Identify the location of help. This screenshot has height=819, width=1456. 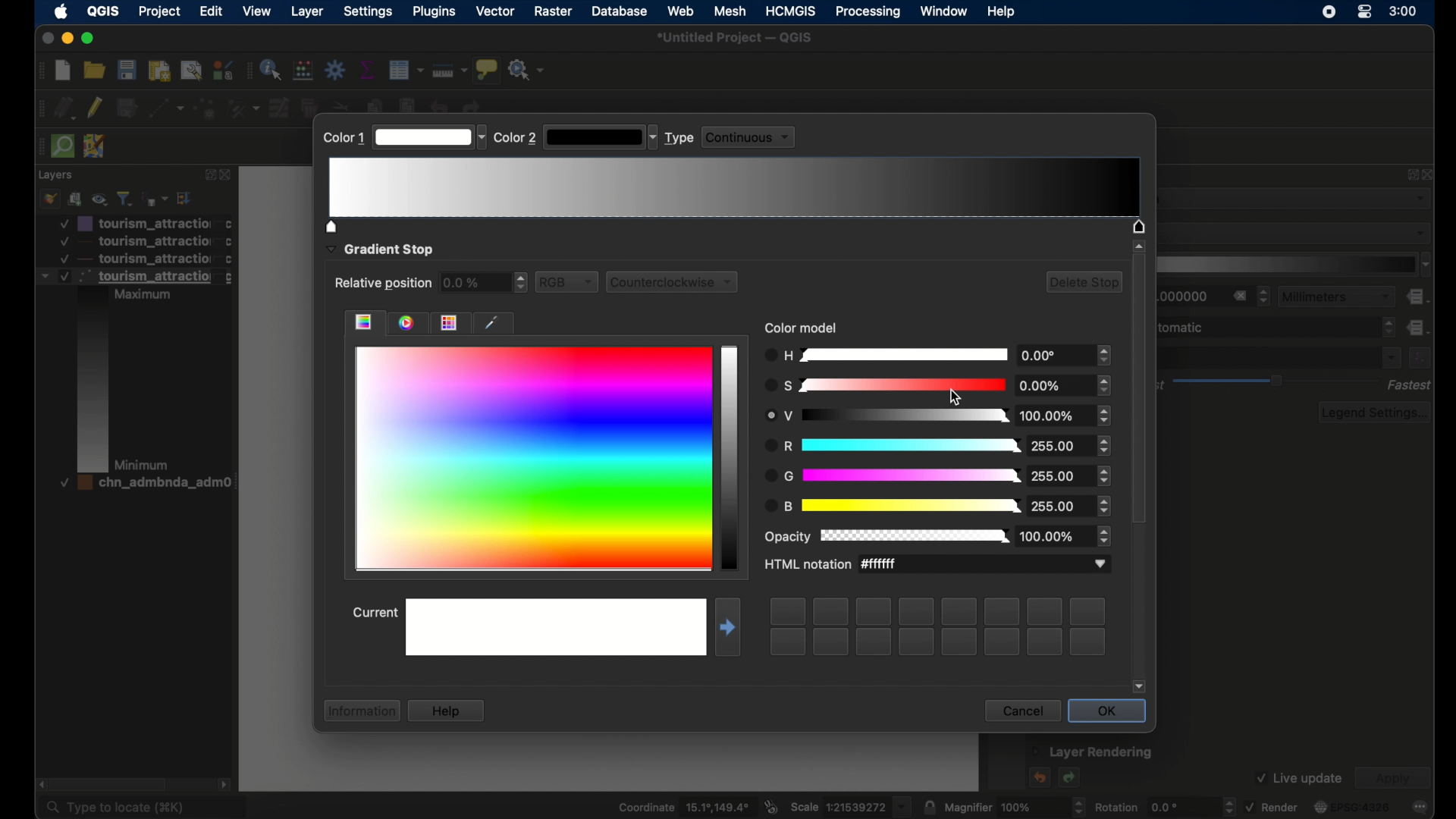
(447, 710).